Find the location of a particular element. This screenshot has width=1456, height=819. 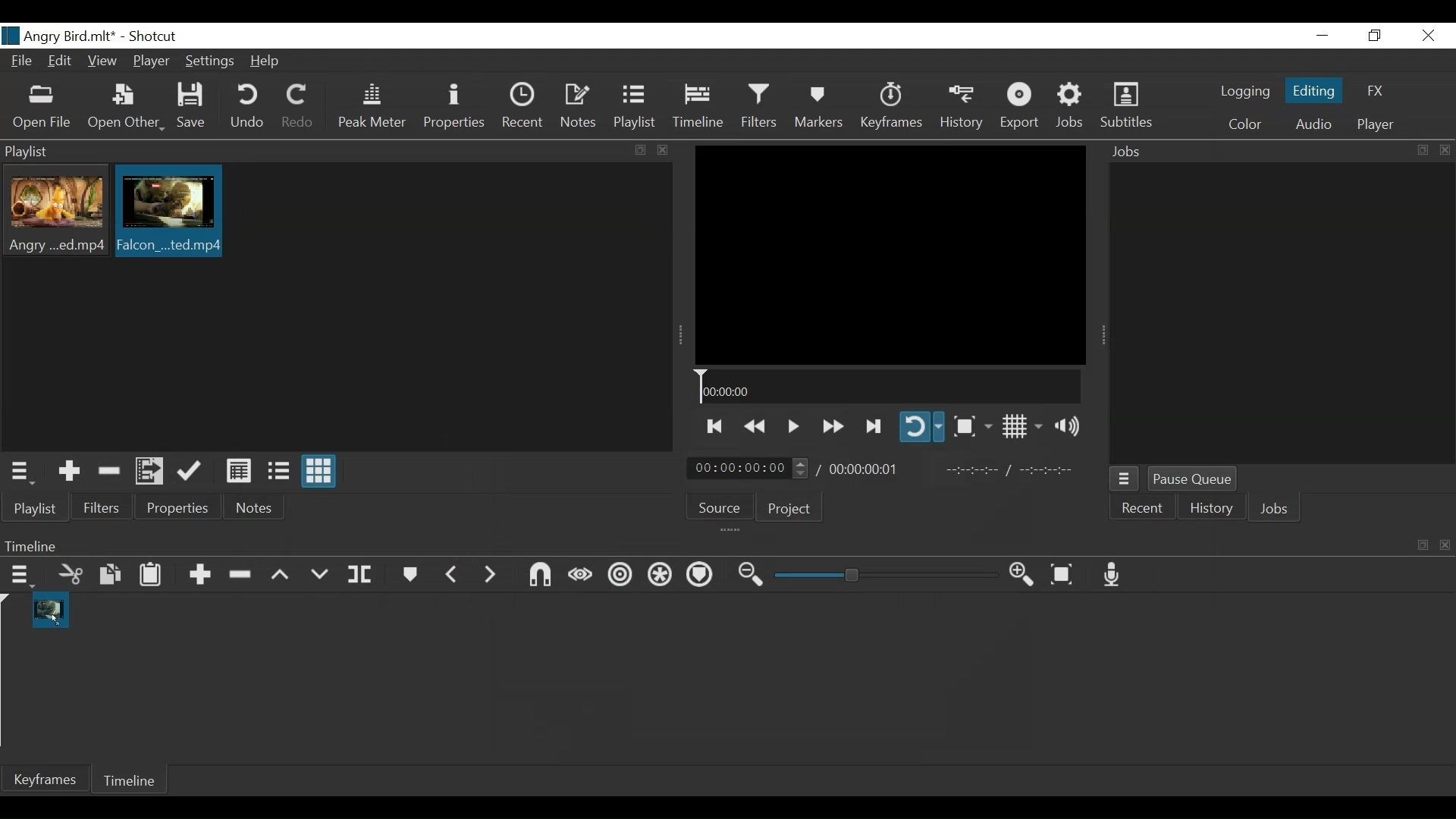

Player is located at coordinates (152, 63).